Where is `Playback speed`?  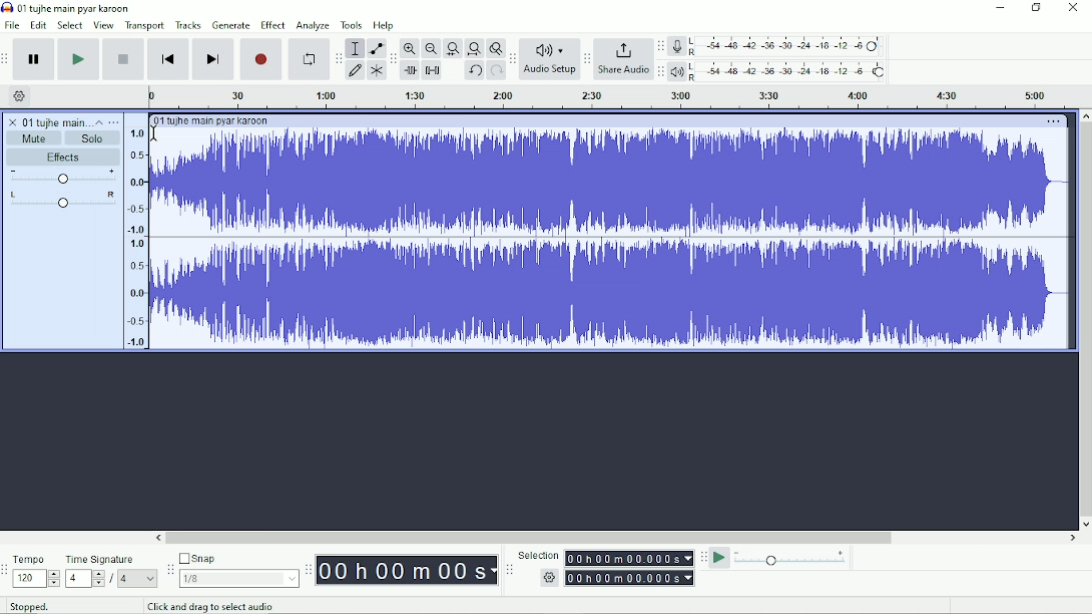 Playback speed is located at coordinates (792, 558).